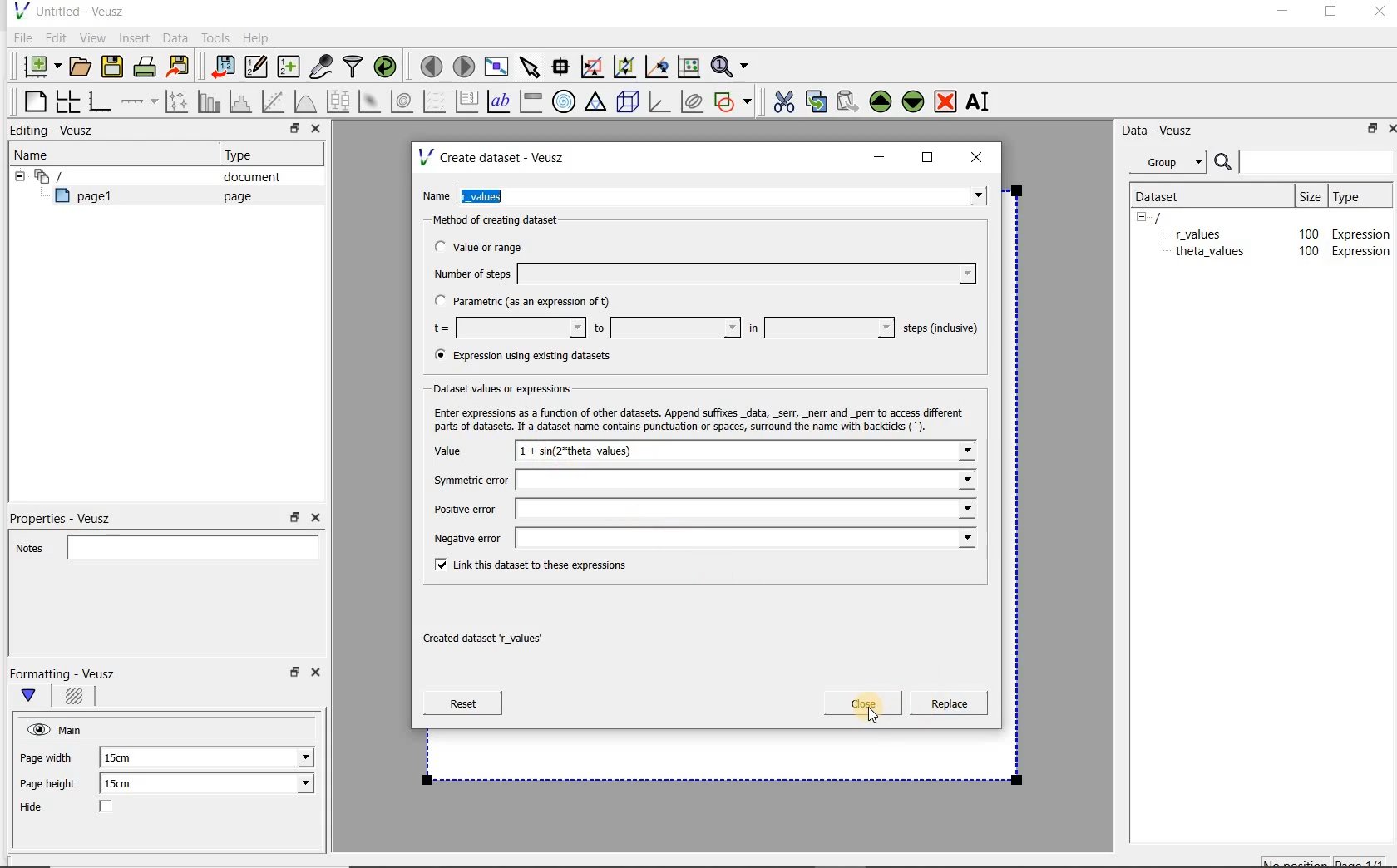 Image resolution: width=1397 pixels, height=868 pixels. I want to click on /document name, so click(1172, 216).